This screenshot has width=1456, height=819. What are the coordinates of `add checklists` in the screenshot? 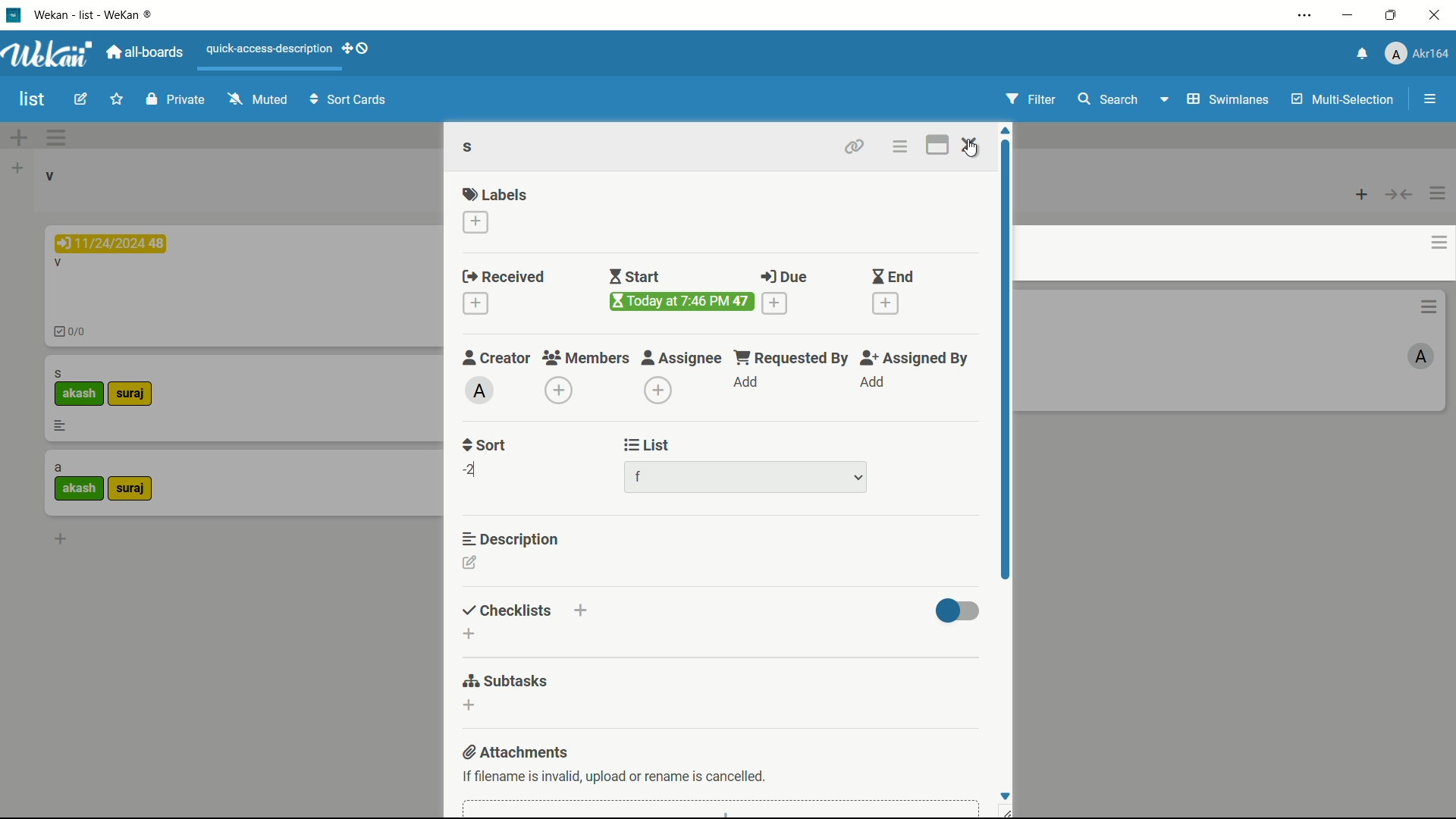 It's located at (582, 610).